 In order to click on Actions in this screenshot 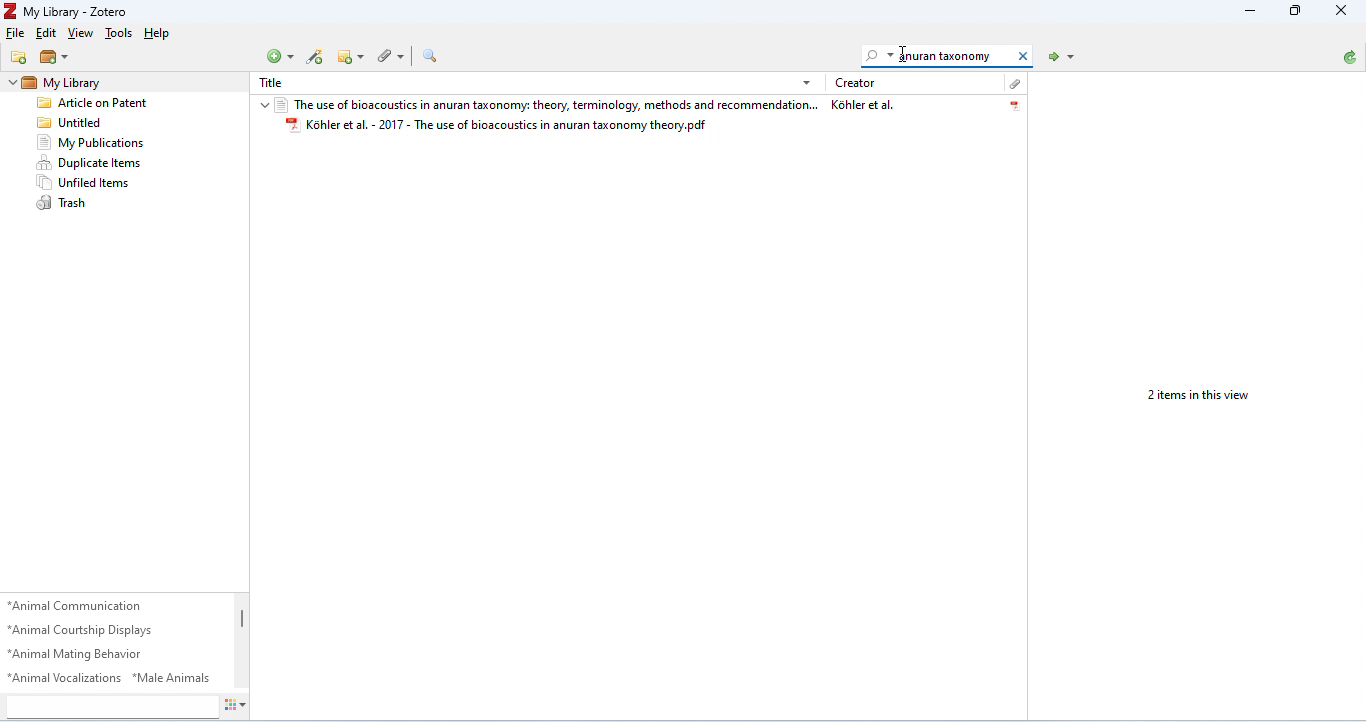, I will do `click(236, 707)`.